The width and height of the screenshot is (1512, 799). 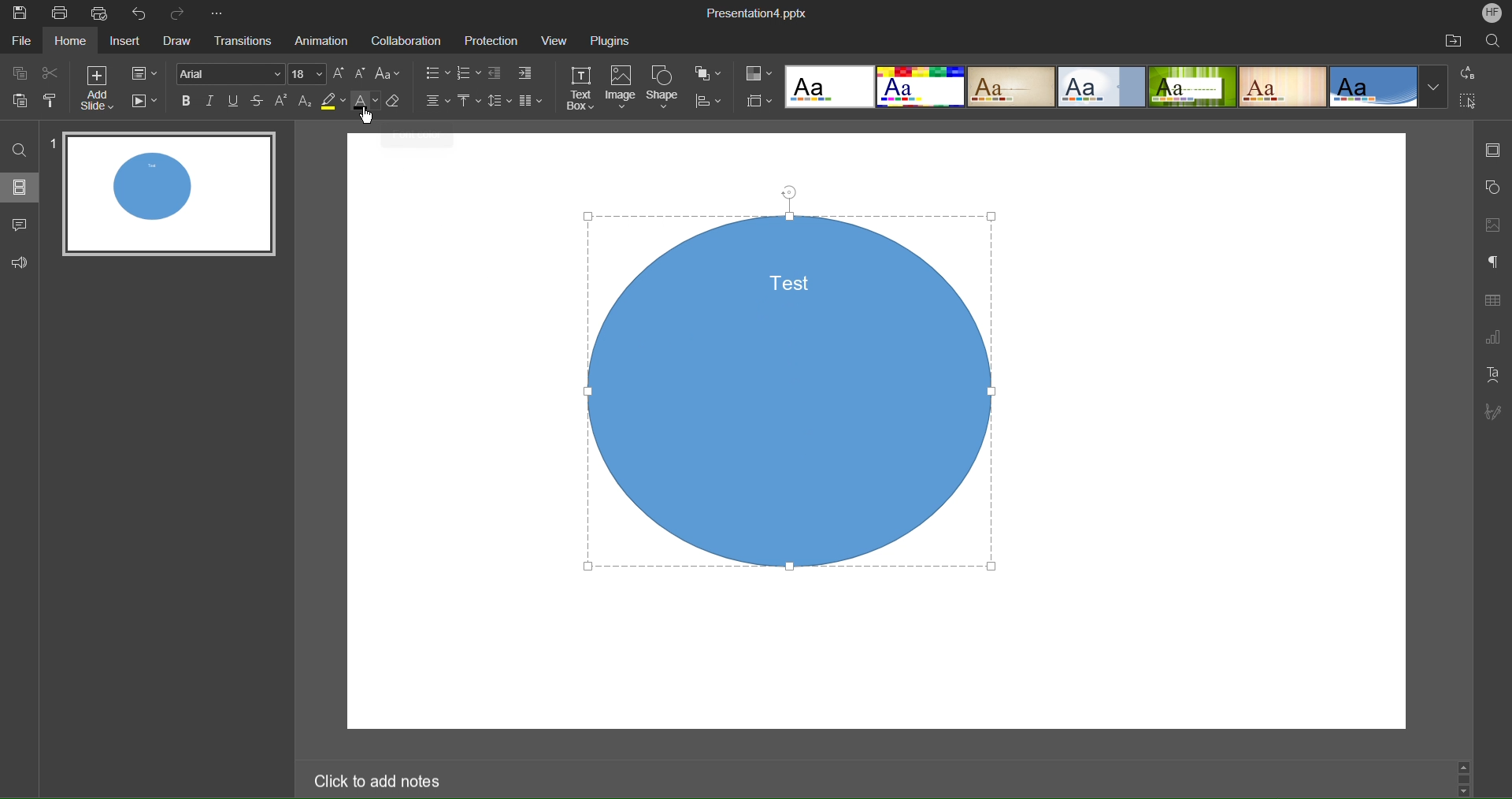 What do you see at coordinates (435, 73) in the screenshot?
I see `Lists` at bounding box center [435, 73].